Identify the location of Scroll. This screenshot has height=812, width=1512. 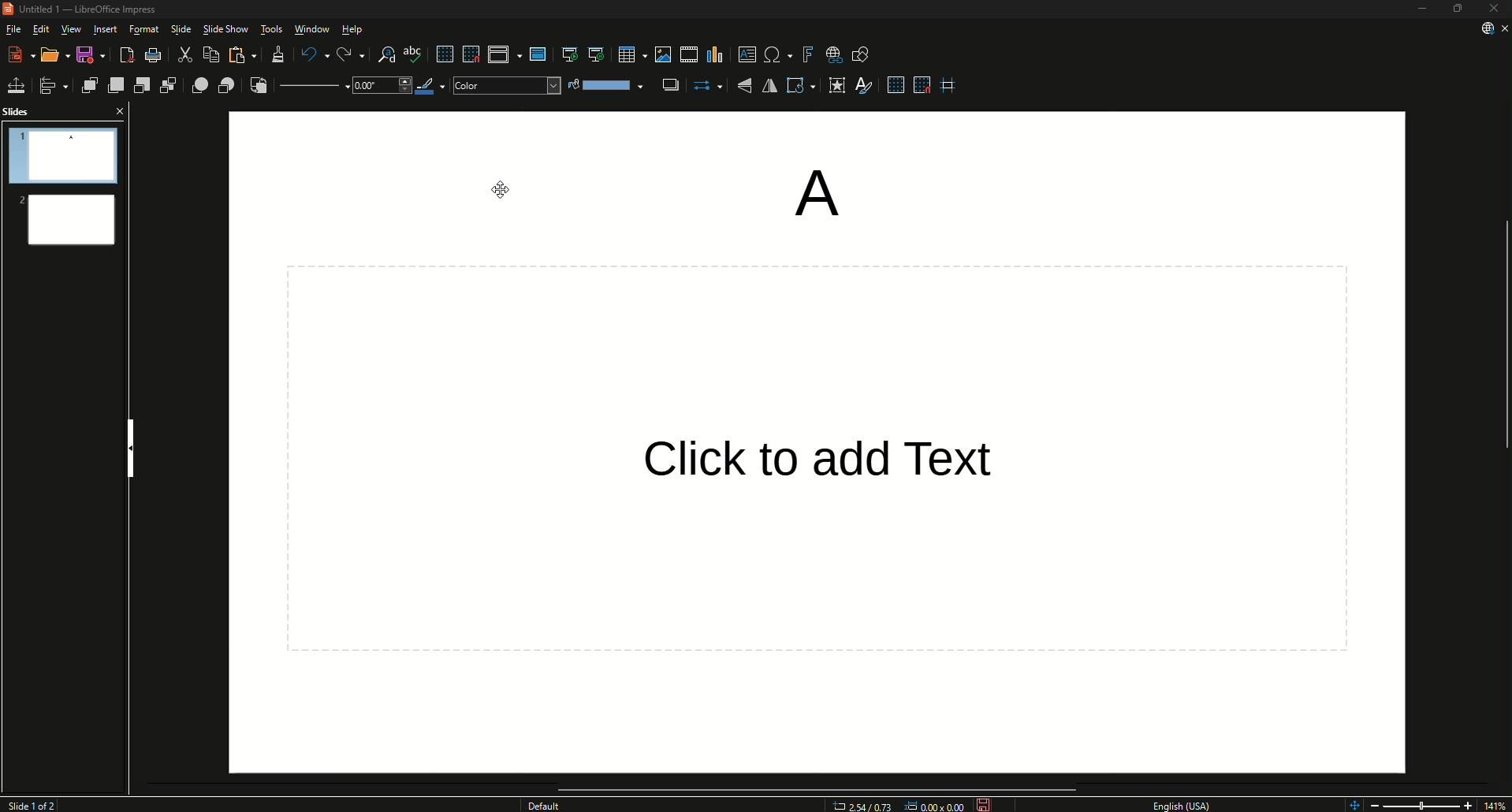
(1513, 334).